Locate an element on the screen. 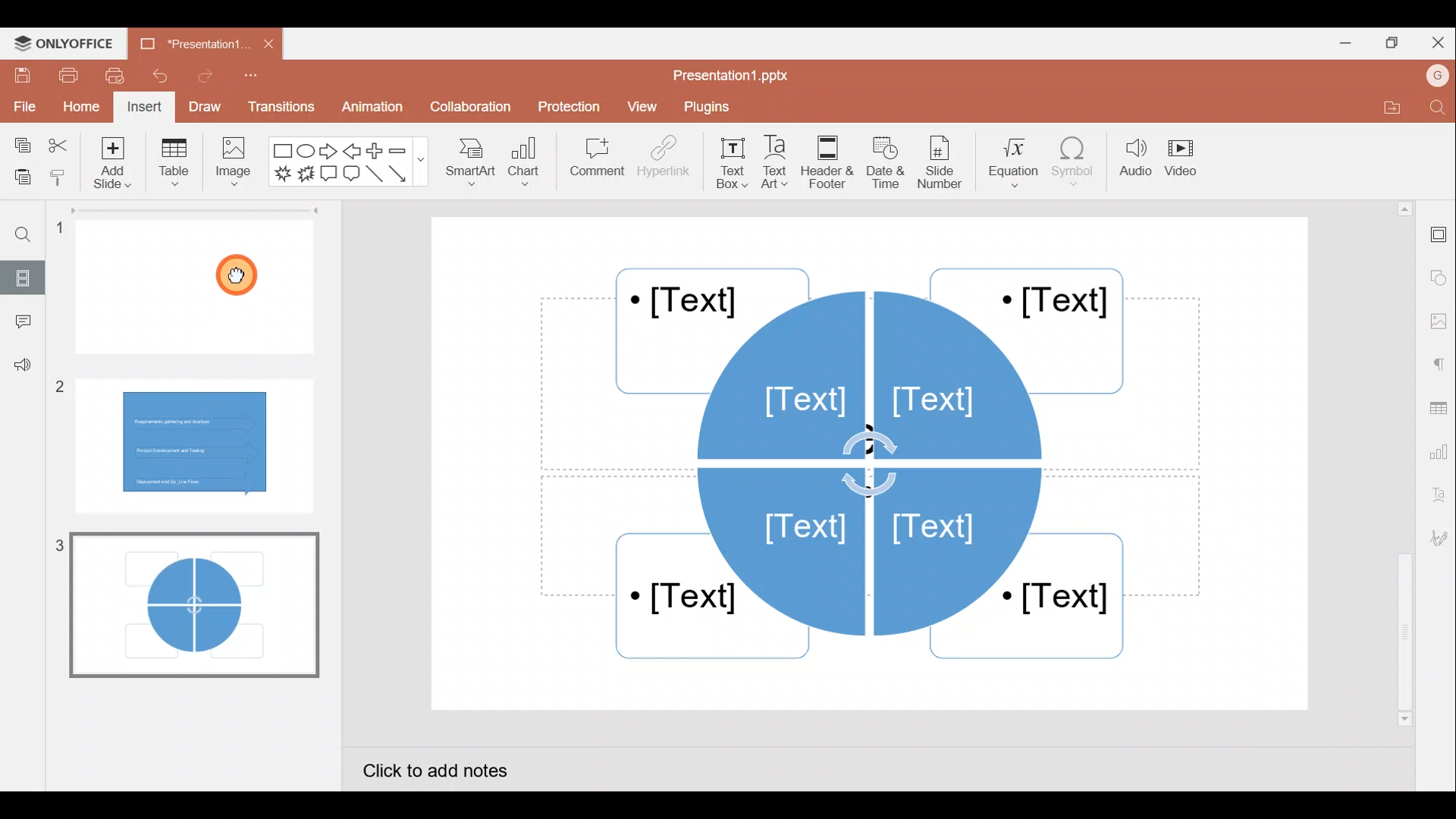 This screenshot has height=819, width=1456. Presentation1.pptx is located at coordinates (734, 76).